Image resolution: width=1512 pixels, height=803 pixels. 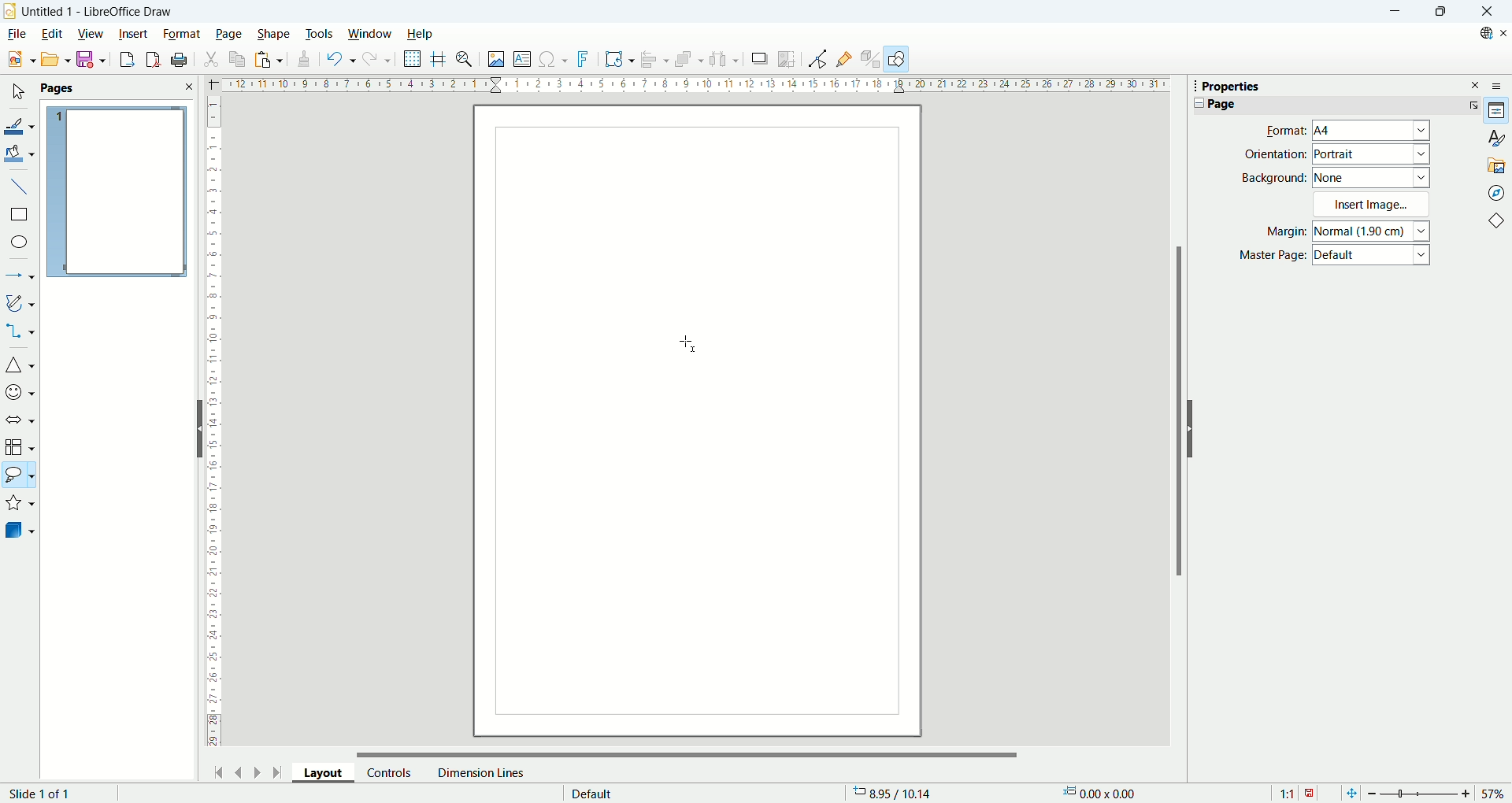 I want to click on page, so click(x=229, y=35).